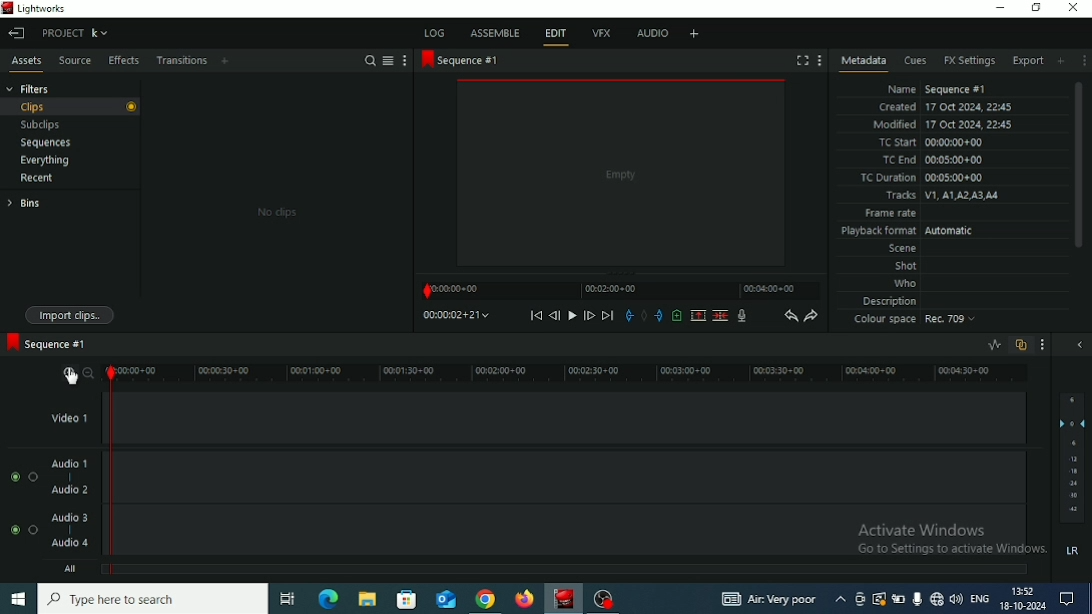 Image resolution: width=1092 pixels, height=614 pixels. What do you see at coordinates (627, 317) in the screenshot?
I see `Add an 'in' mark at the current position` at bounding box center [627, 317].